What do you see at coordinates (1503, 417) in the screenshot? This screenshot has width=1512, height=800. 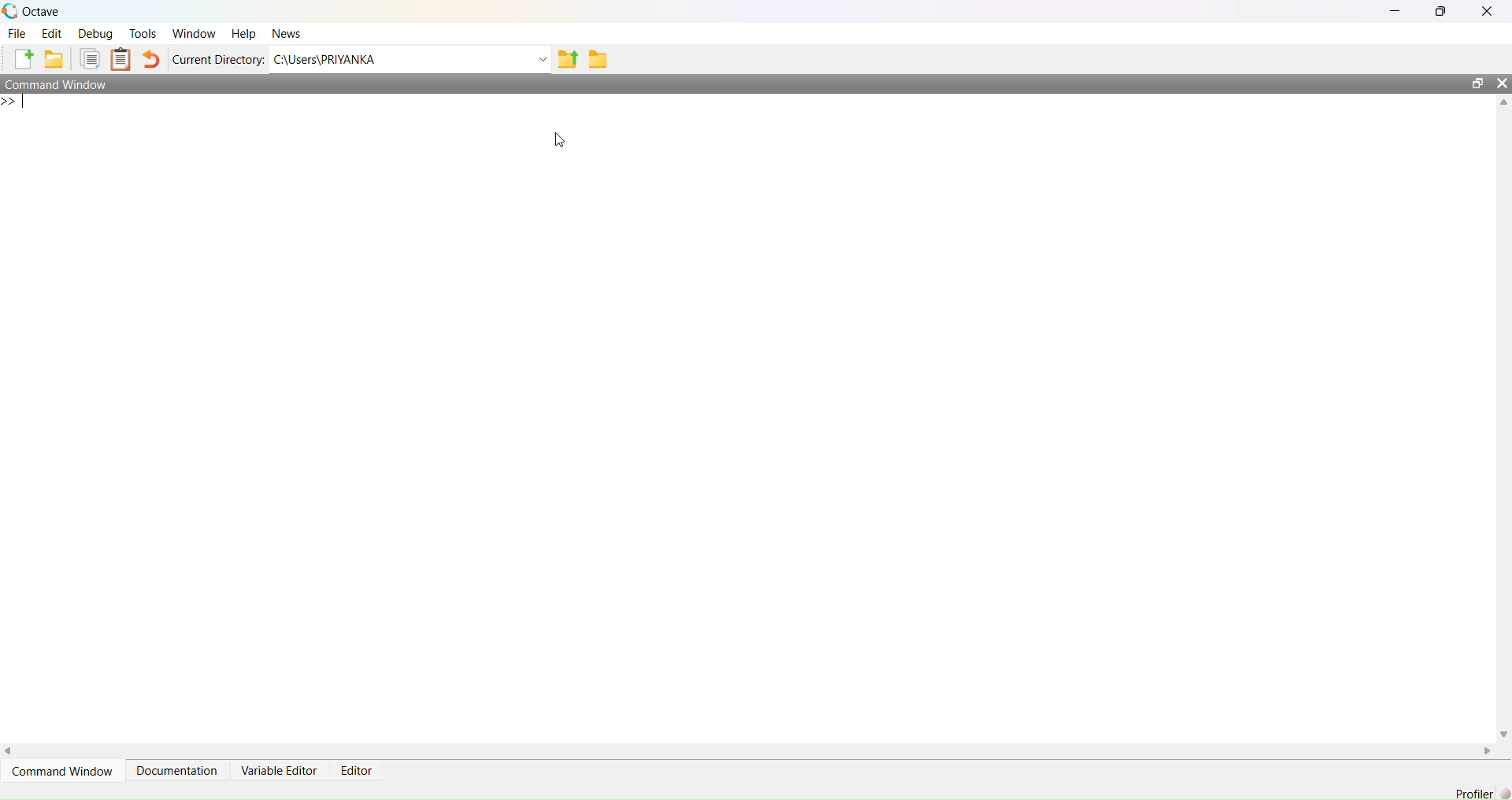 I see `vertical scroll bar` at bounding box center [1503, 417].